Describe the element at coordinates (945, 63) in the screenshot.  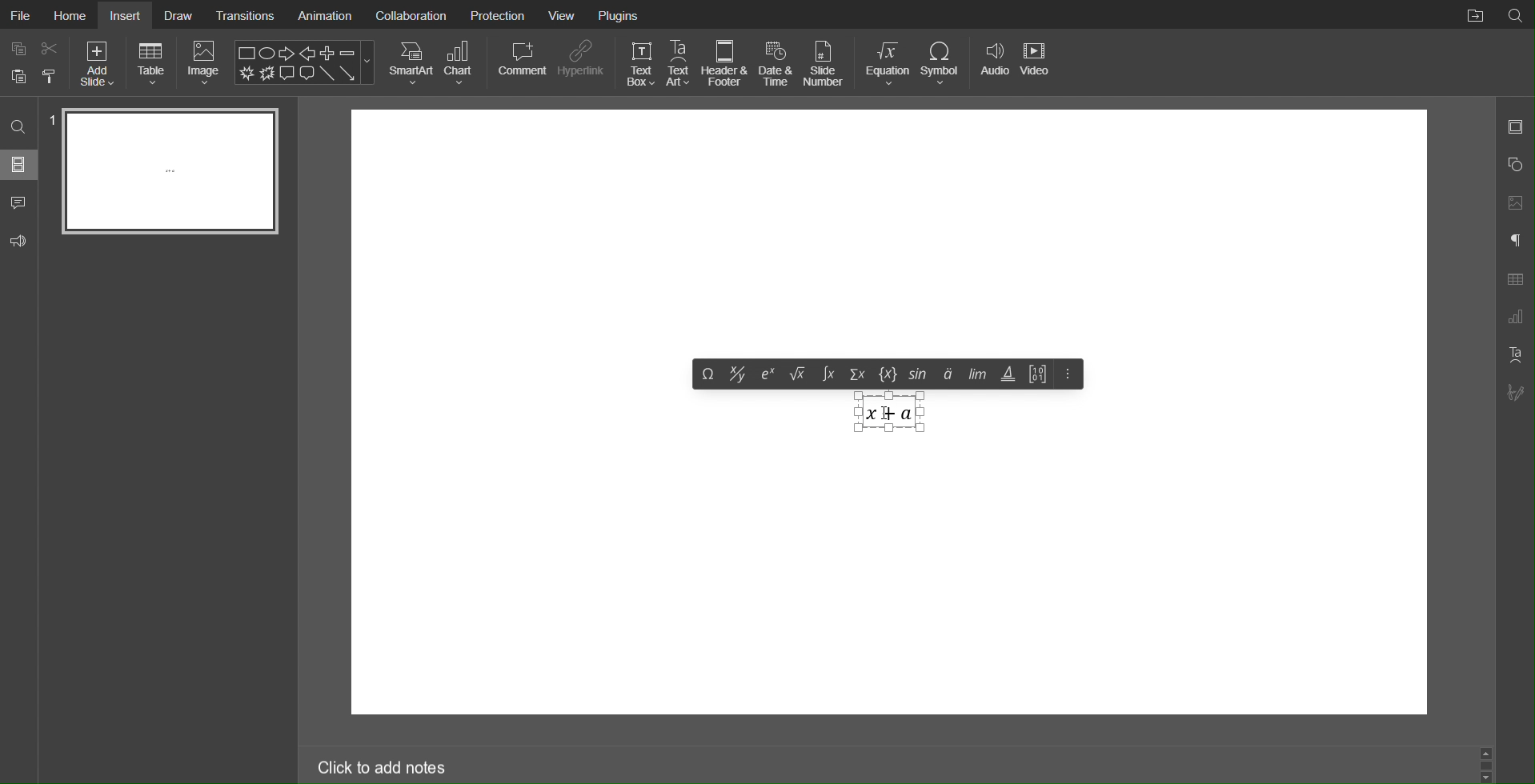
I see `Symbol` at that location.